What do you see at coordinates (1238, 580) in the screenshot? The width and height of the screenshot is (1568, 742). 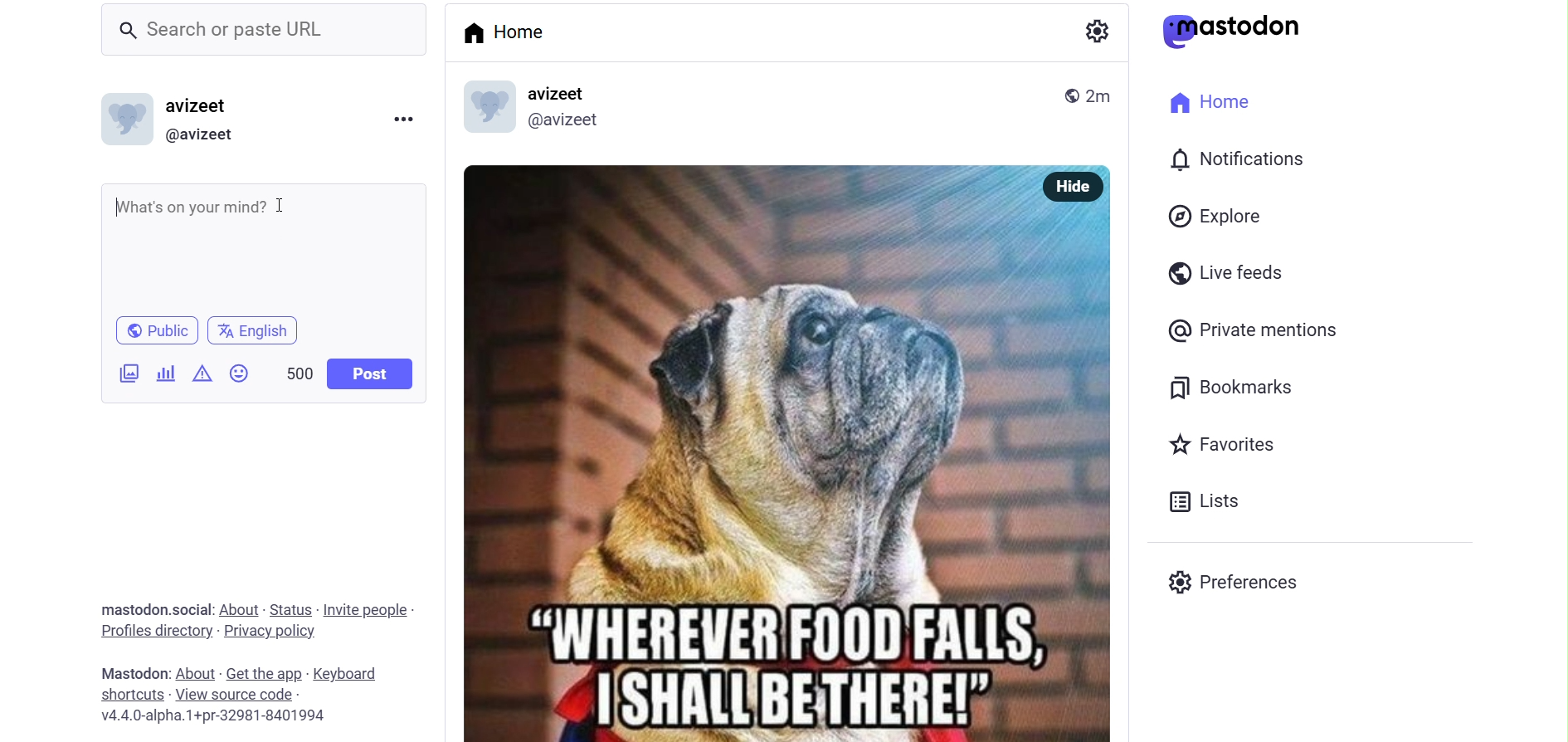 I see `preferences` at bounding box center [1238, 580].